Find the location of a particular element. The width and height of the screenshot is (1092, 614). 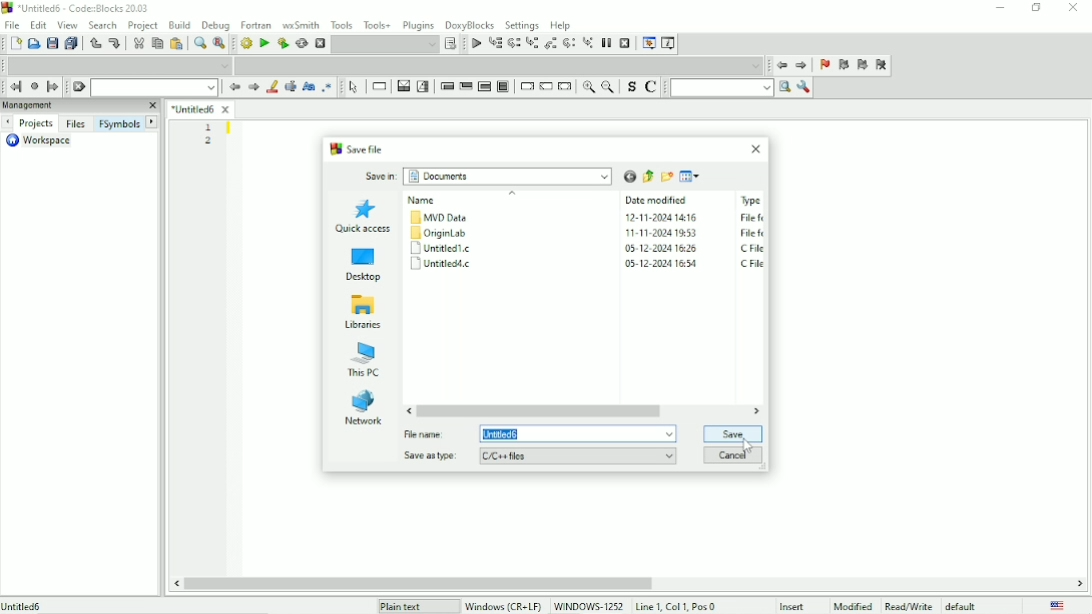

Title is located at coordinates (79, 8).